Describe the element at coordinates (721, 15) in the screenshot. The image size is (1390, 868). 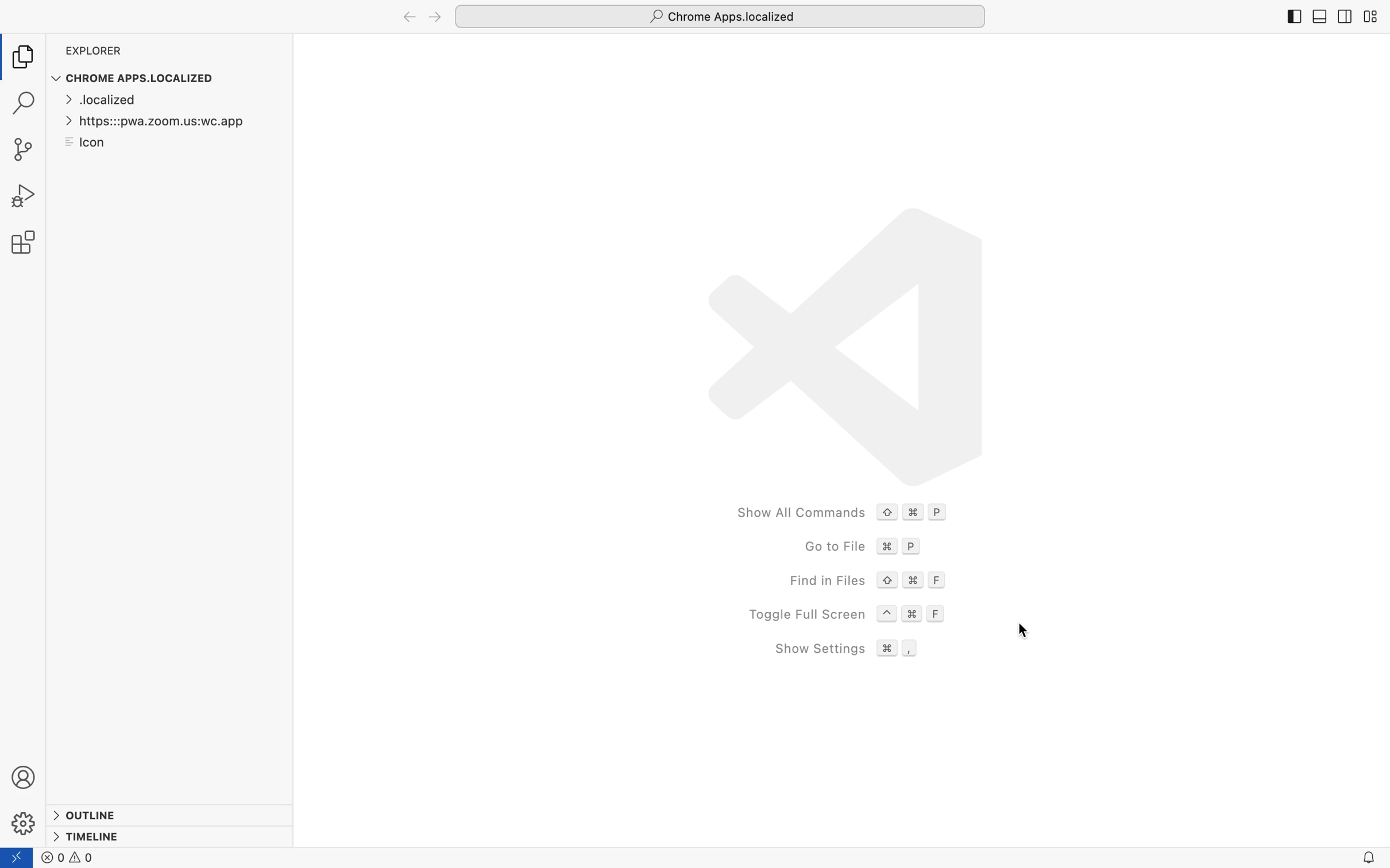
I see `folder name` at that location.